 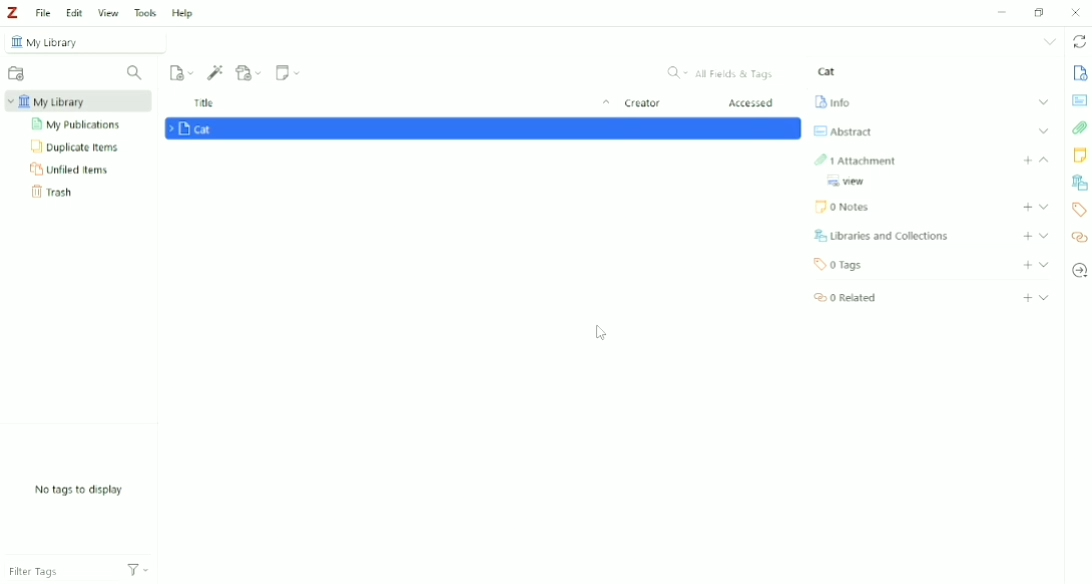 I want to click on No tags to display, so click(x=81, y=490).